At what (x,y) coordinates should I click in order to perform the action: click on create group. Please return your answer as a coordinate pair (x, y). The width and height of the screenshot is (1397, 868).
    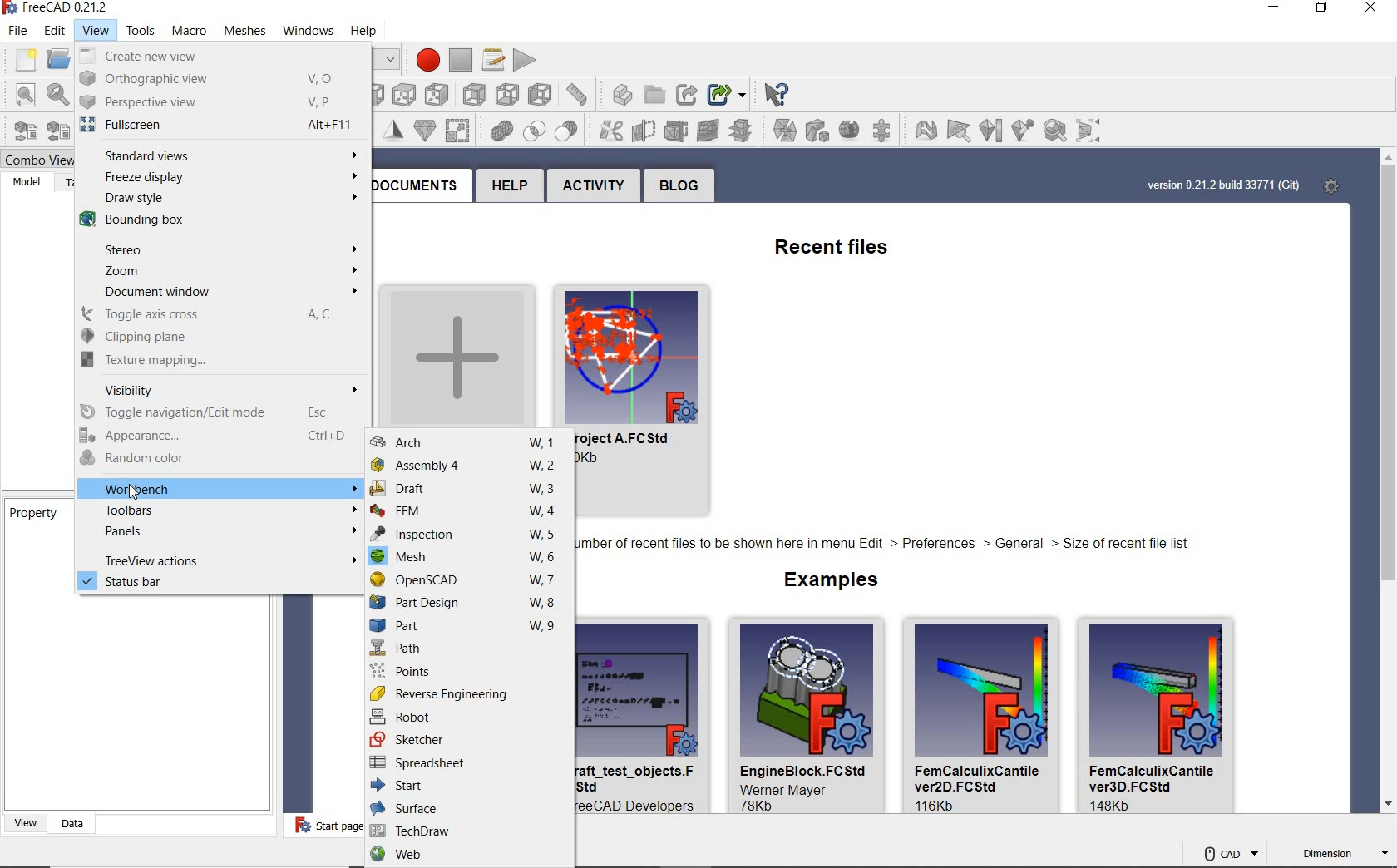
    Looking at the image, I should click on (628, 94).